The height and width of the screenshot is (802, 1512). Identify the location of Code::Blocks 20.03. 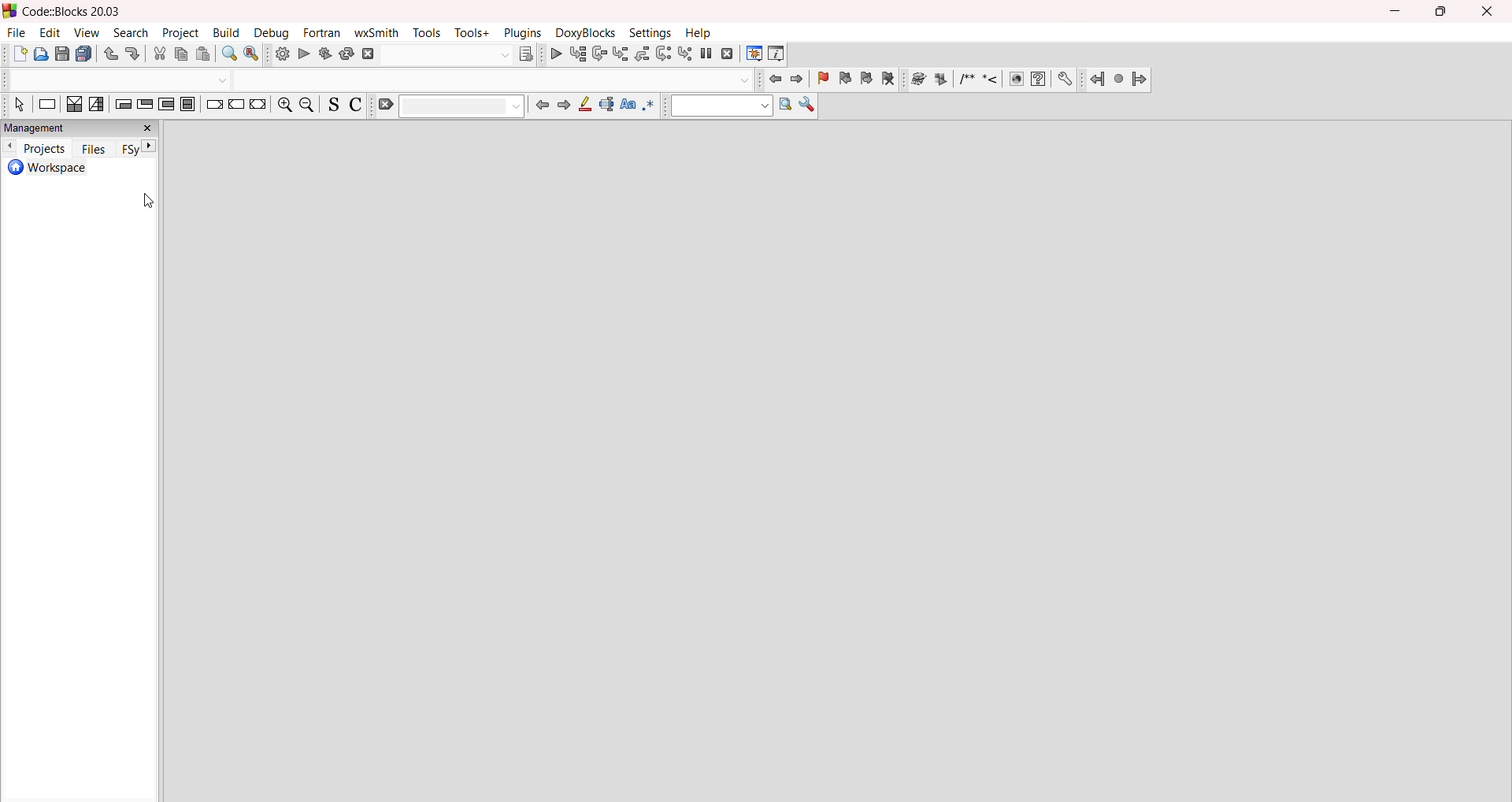
(65, 12).